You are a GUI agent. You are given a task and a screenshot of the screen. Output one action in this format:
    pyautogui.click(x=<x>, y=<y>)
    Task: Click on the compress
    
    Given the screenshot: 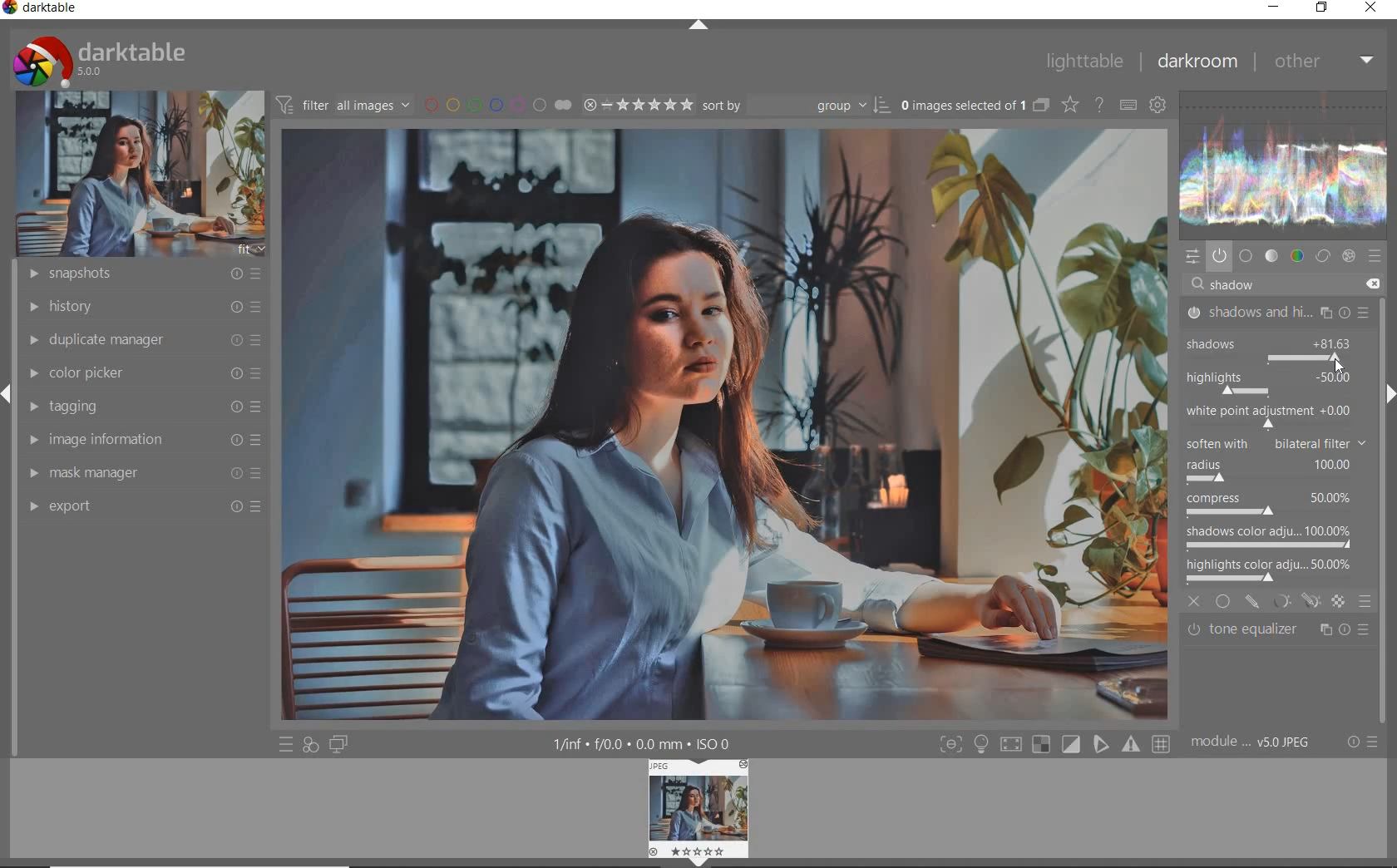 What is the action you would take?
    pyautogui.click(x=1271, y=506)
    